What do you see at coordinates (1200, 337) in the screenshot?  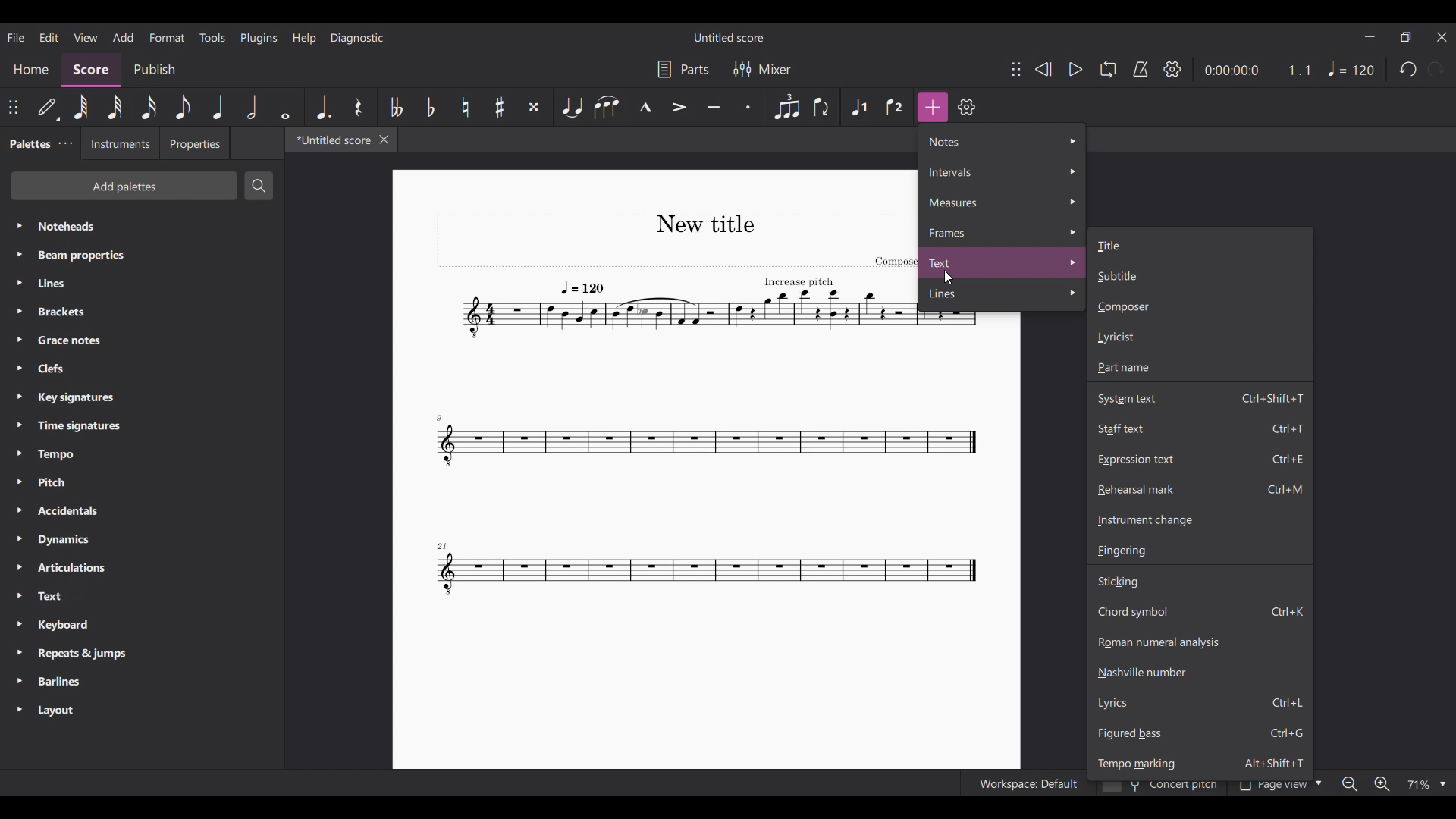 I see `Lyricist` at bounding box center [1200, 337].